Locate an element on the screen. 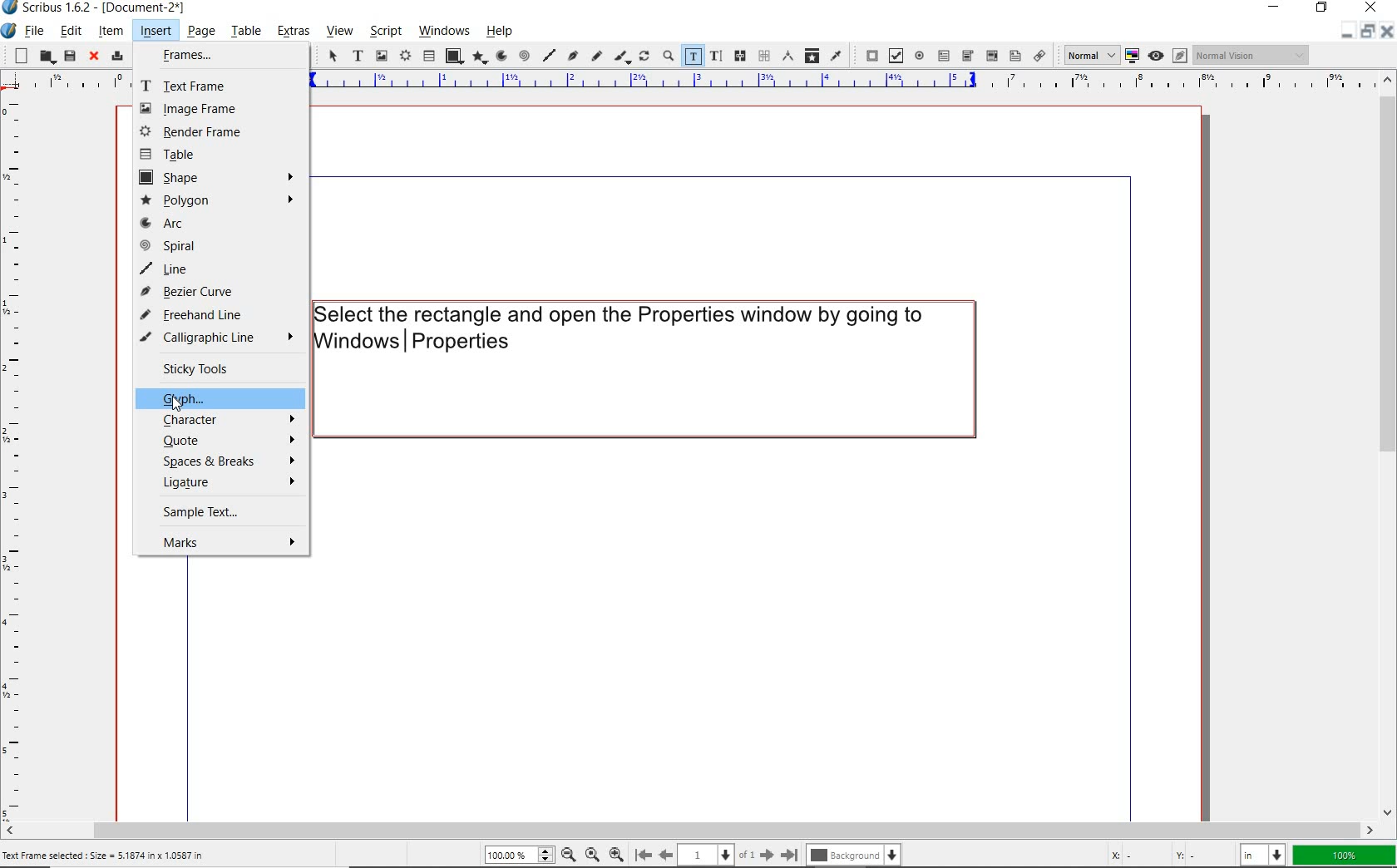  item is located at coordinates (109, 31).